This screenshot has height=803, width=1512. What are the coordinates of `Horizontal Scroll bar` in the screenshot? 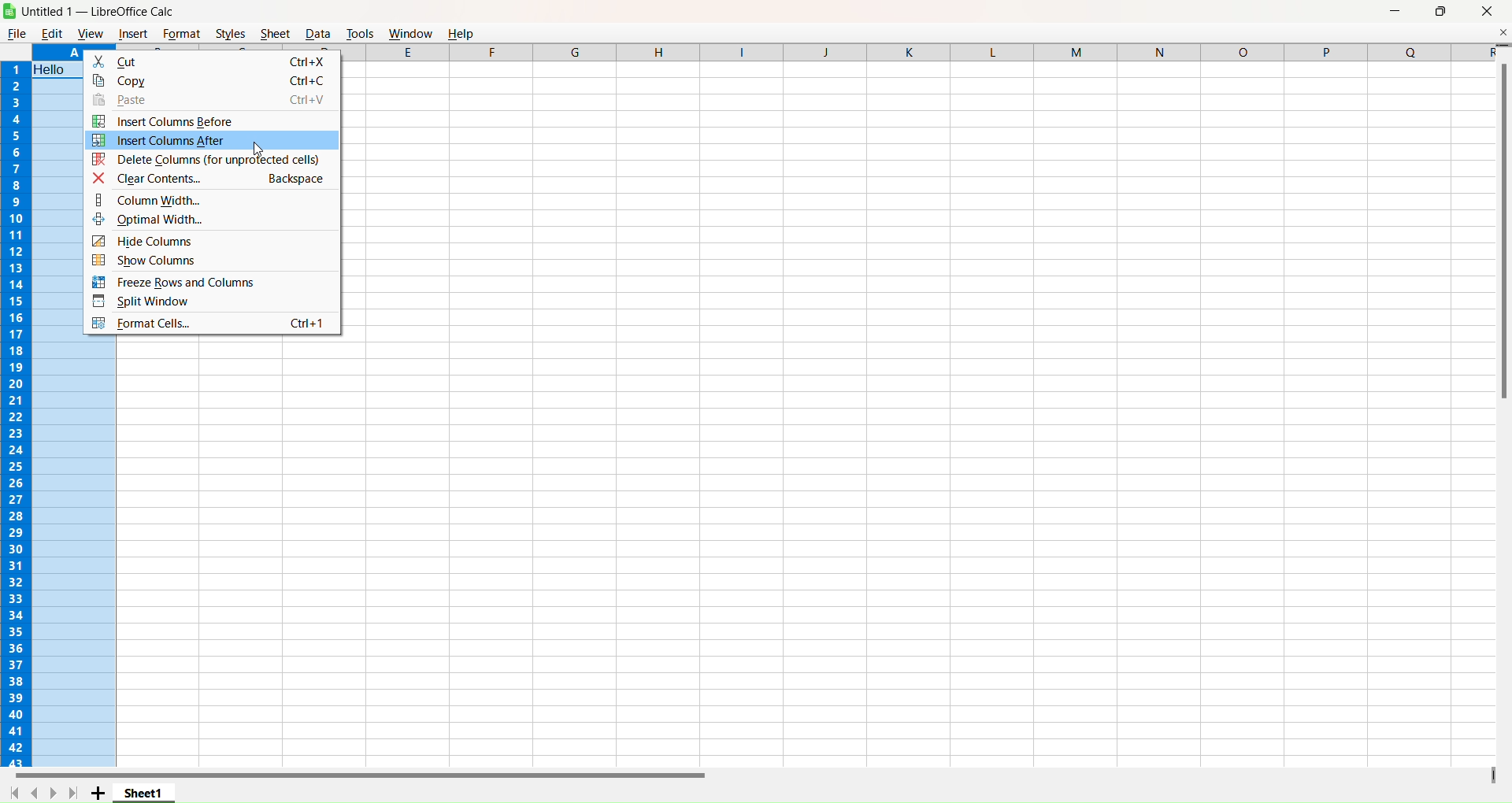 It's located at (354, 775).